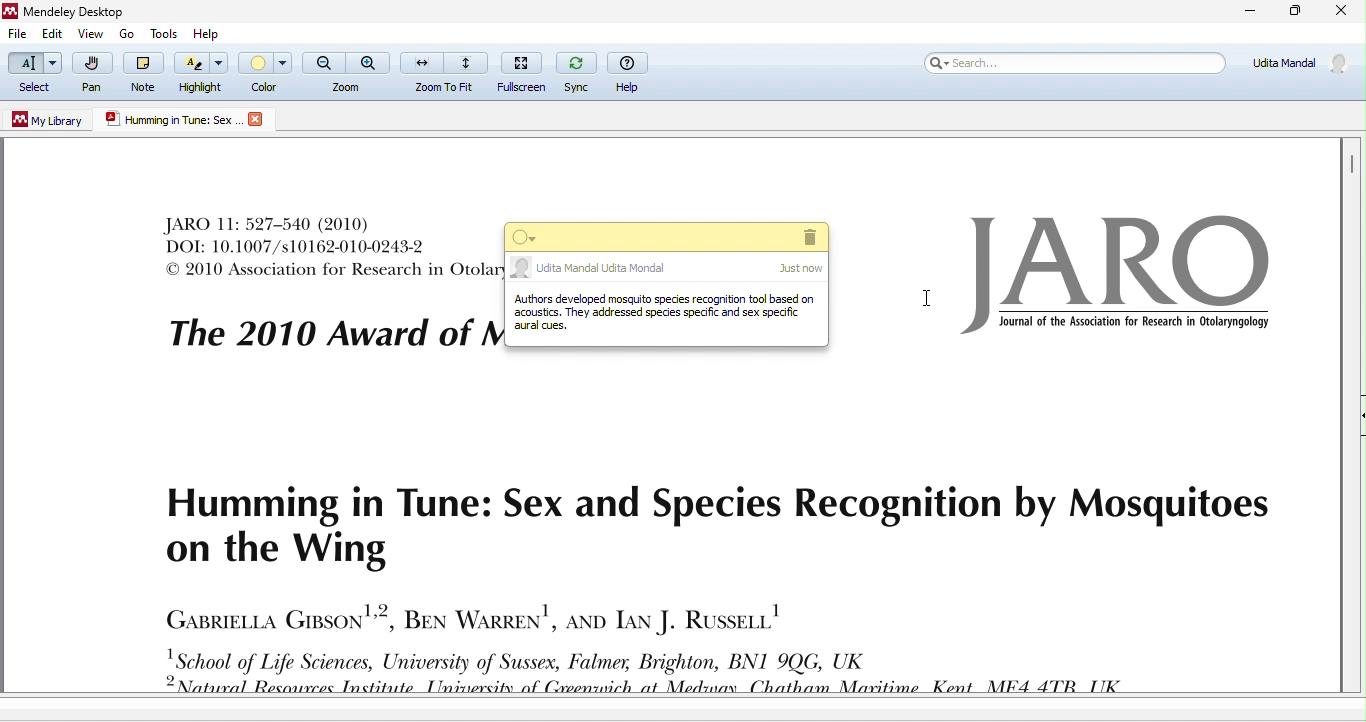 Image resolution: width=1366 pixels, height=722 pixels. Describe the element at coordinates (205, 32) in the screenshot. I see `help` at that location.